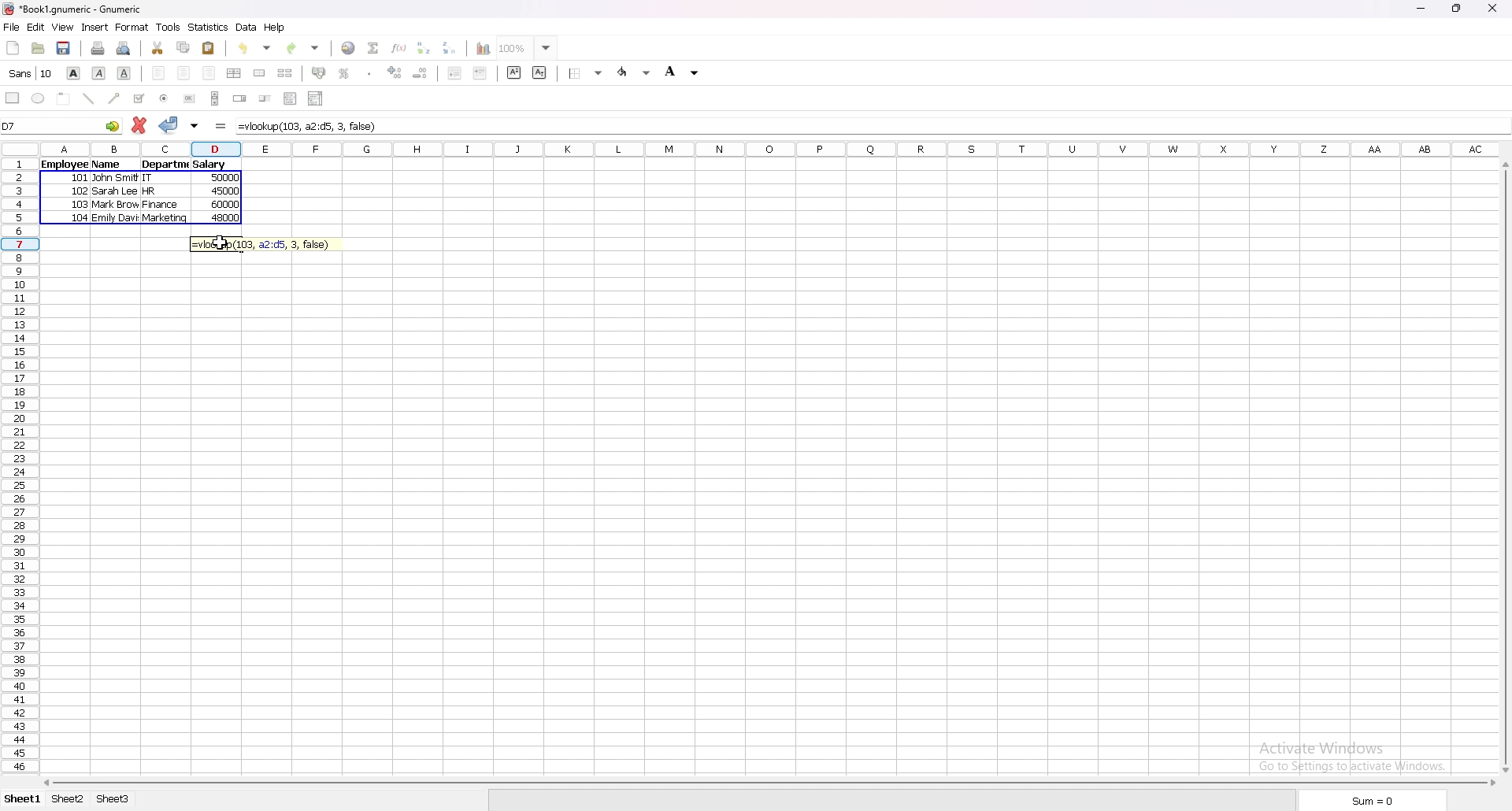  Describe the element at coordinates (541, 73) in the screenshot. I see `subscript` at that location.